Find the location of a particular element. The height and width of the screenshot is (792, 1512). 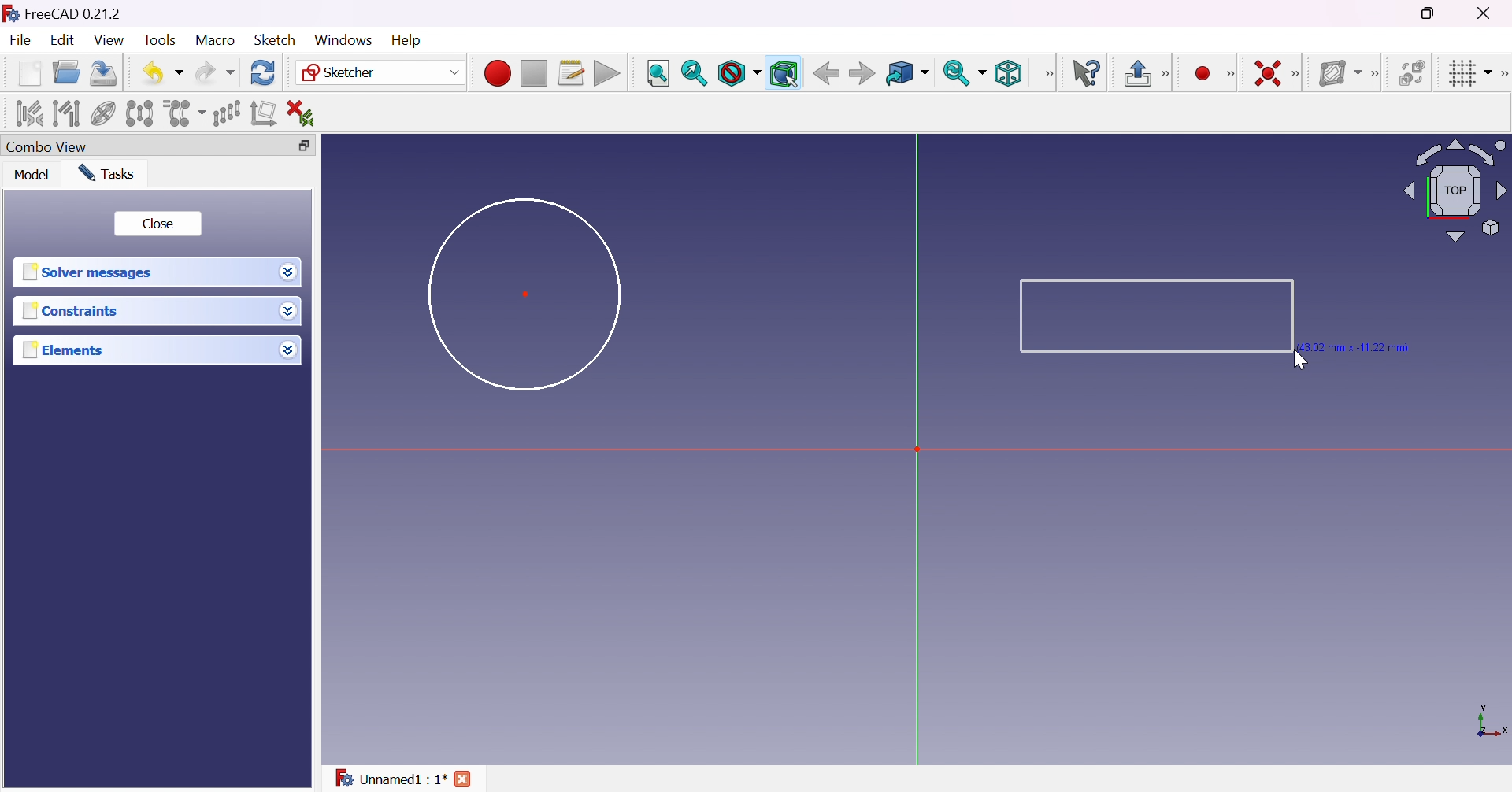

Drop is located at coordinates (291, 313).